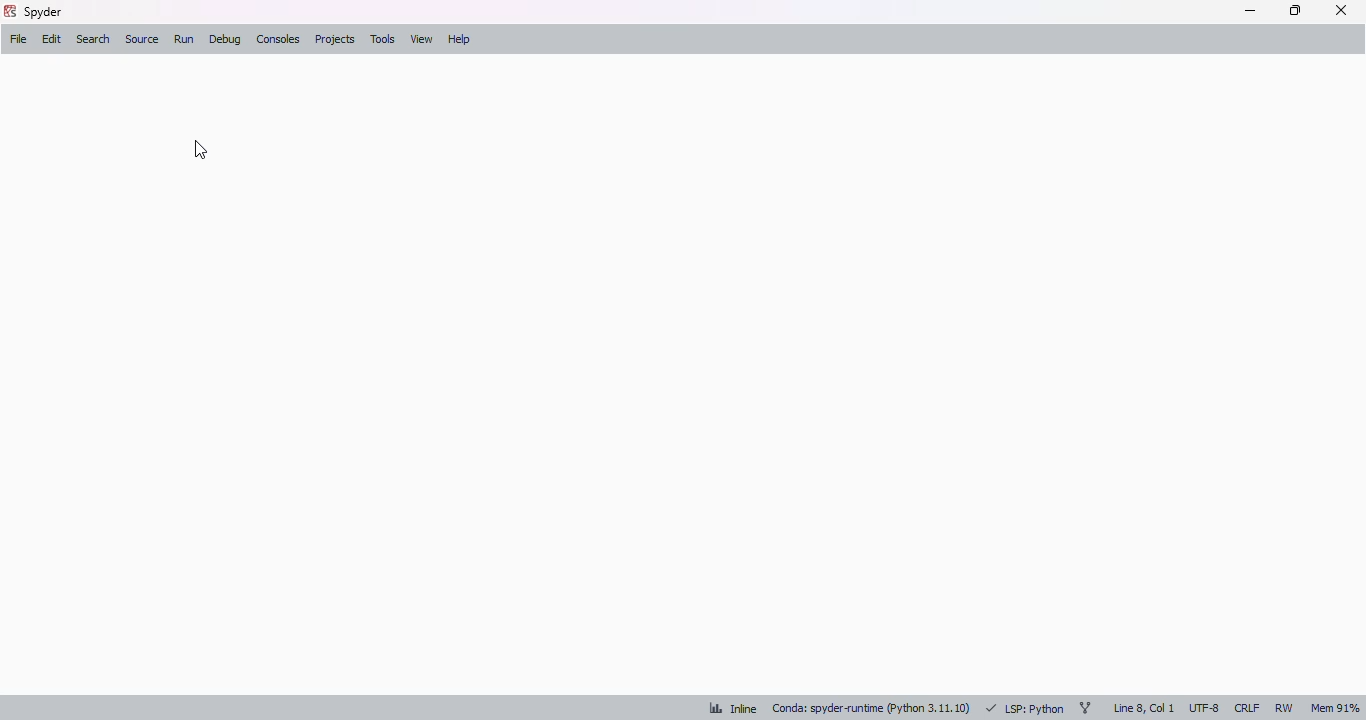 Image resolution: width=1366 pixels, height=720 pixels. I want to click on git branch, so click(1085, 707).